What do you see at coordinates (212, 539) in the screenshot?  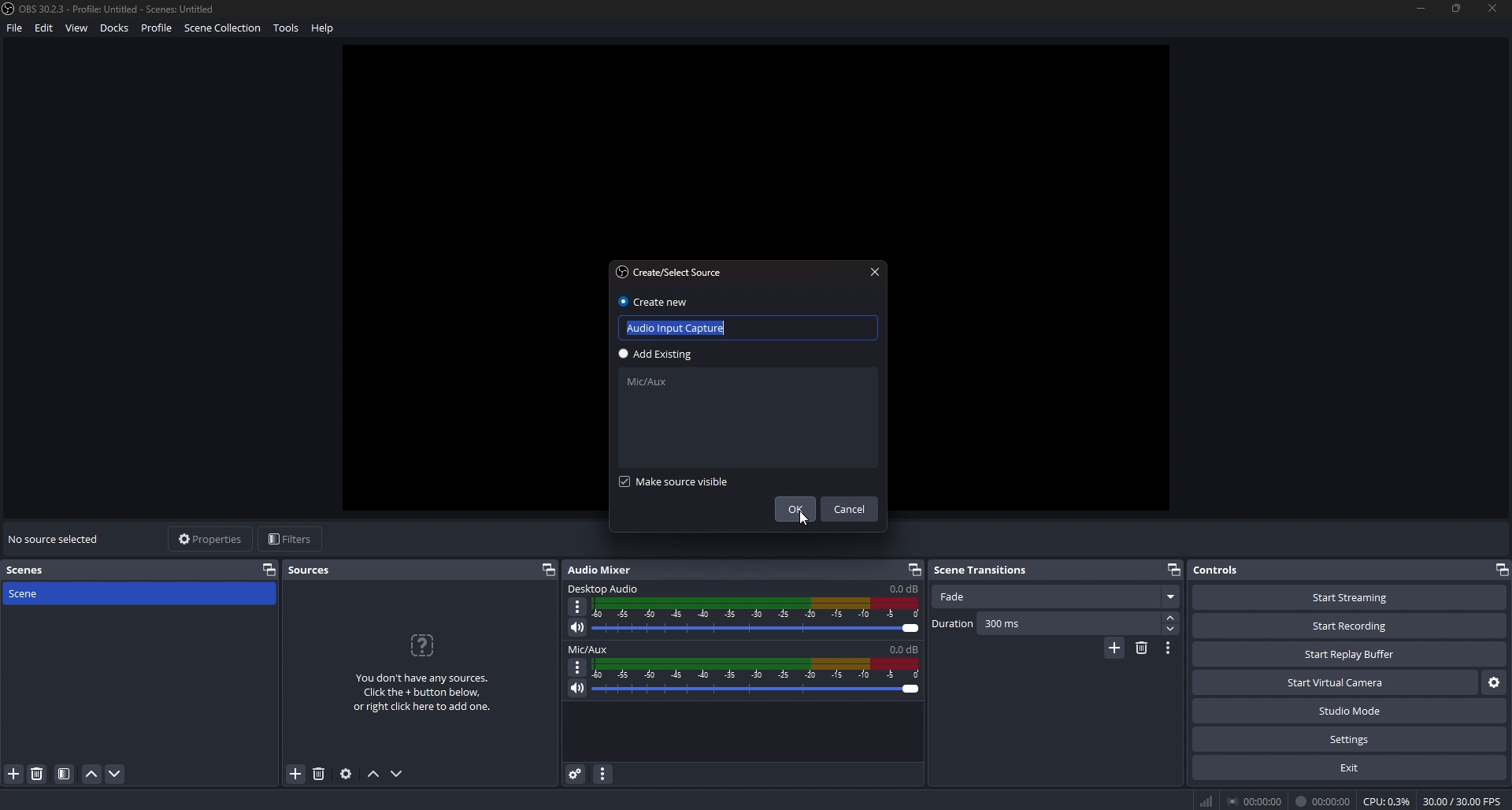 I see `properties` at bounding box center [212, 539].